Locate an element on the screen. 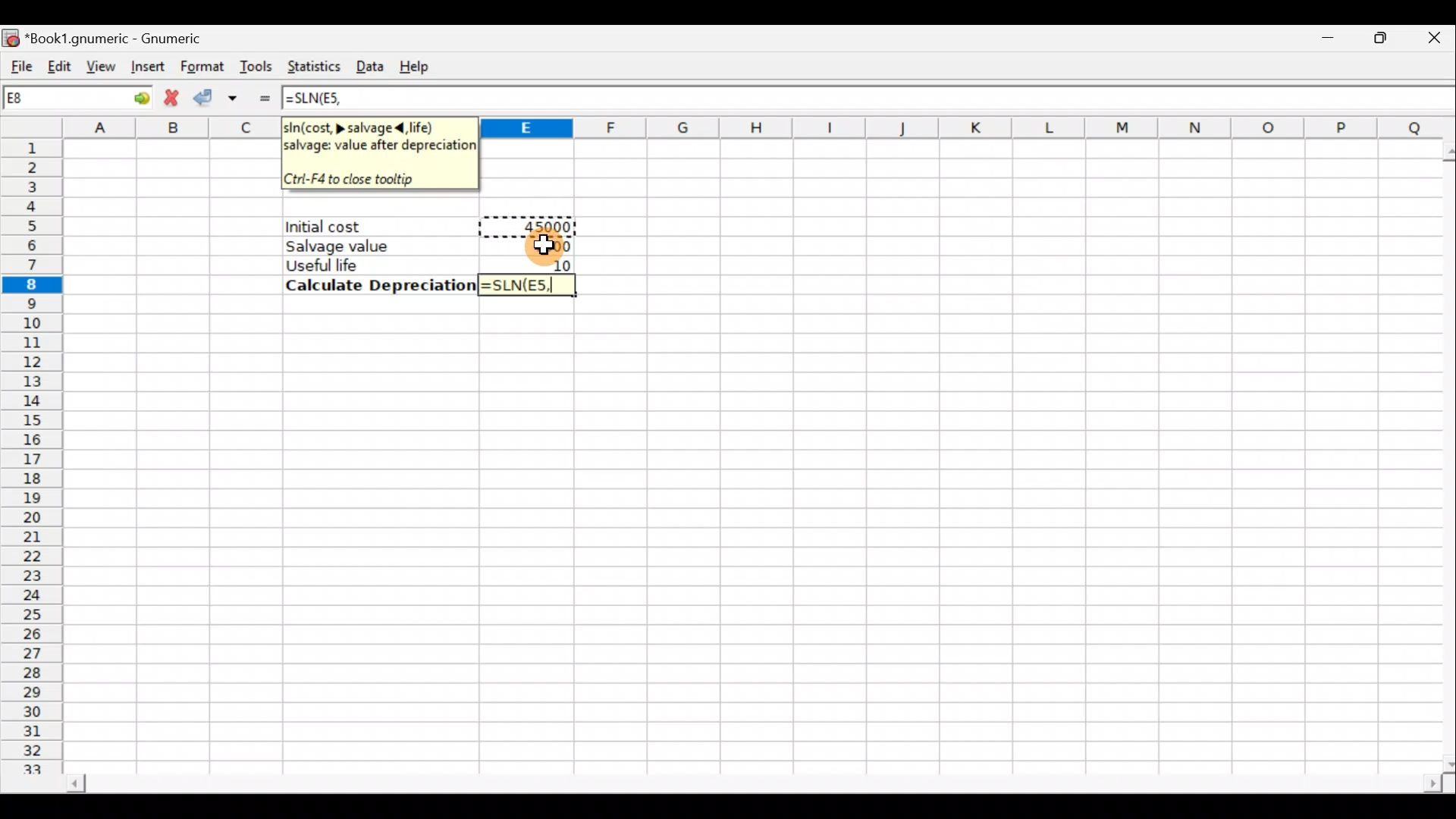 This screenshot has height=819, width=1456. Scroll bar is located at coordinates (1442, 452).